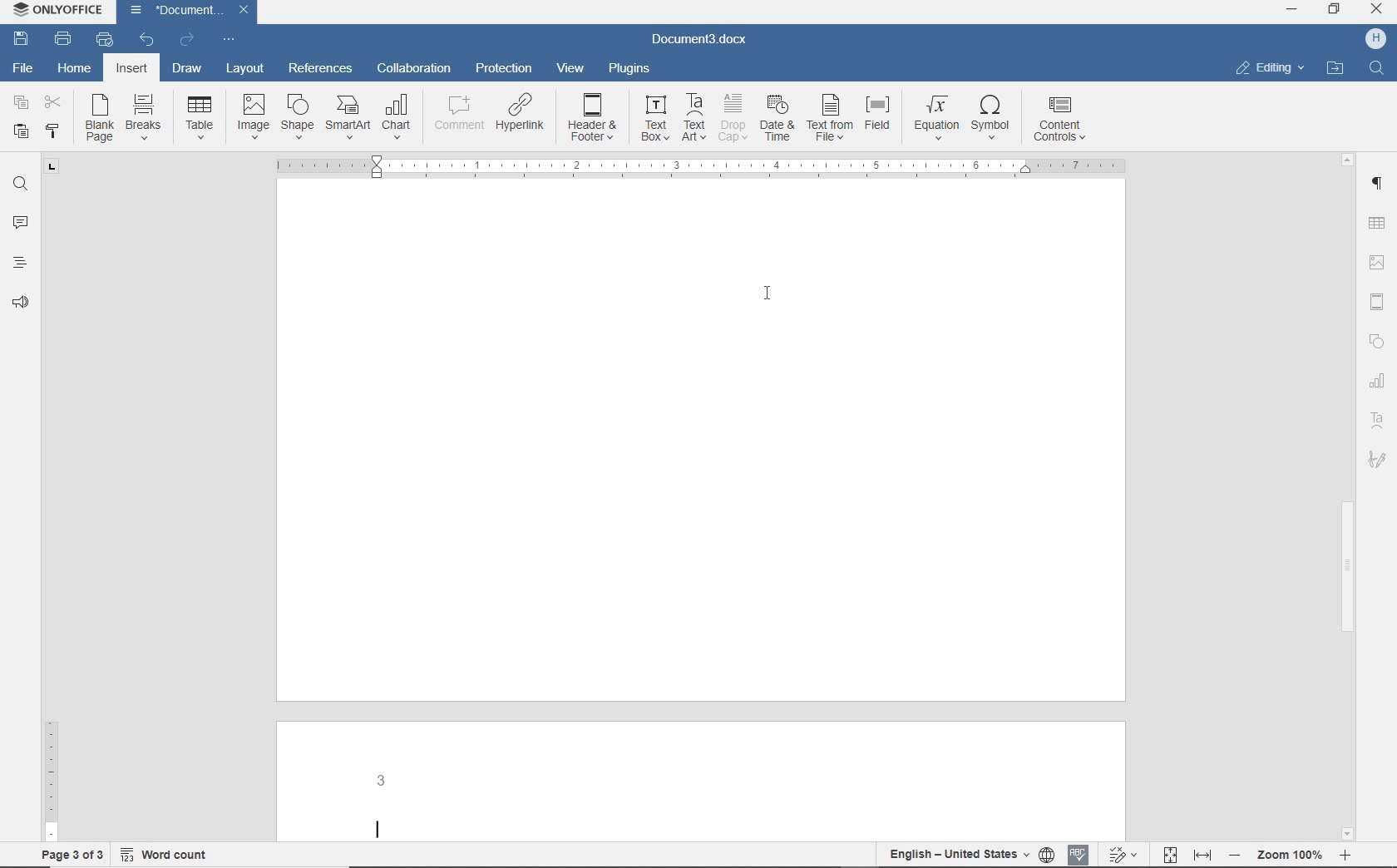  Describe the element at coordinates (701, 40) in the screenshot. I see `DOCUMENT3.docx` at that location.